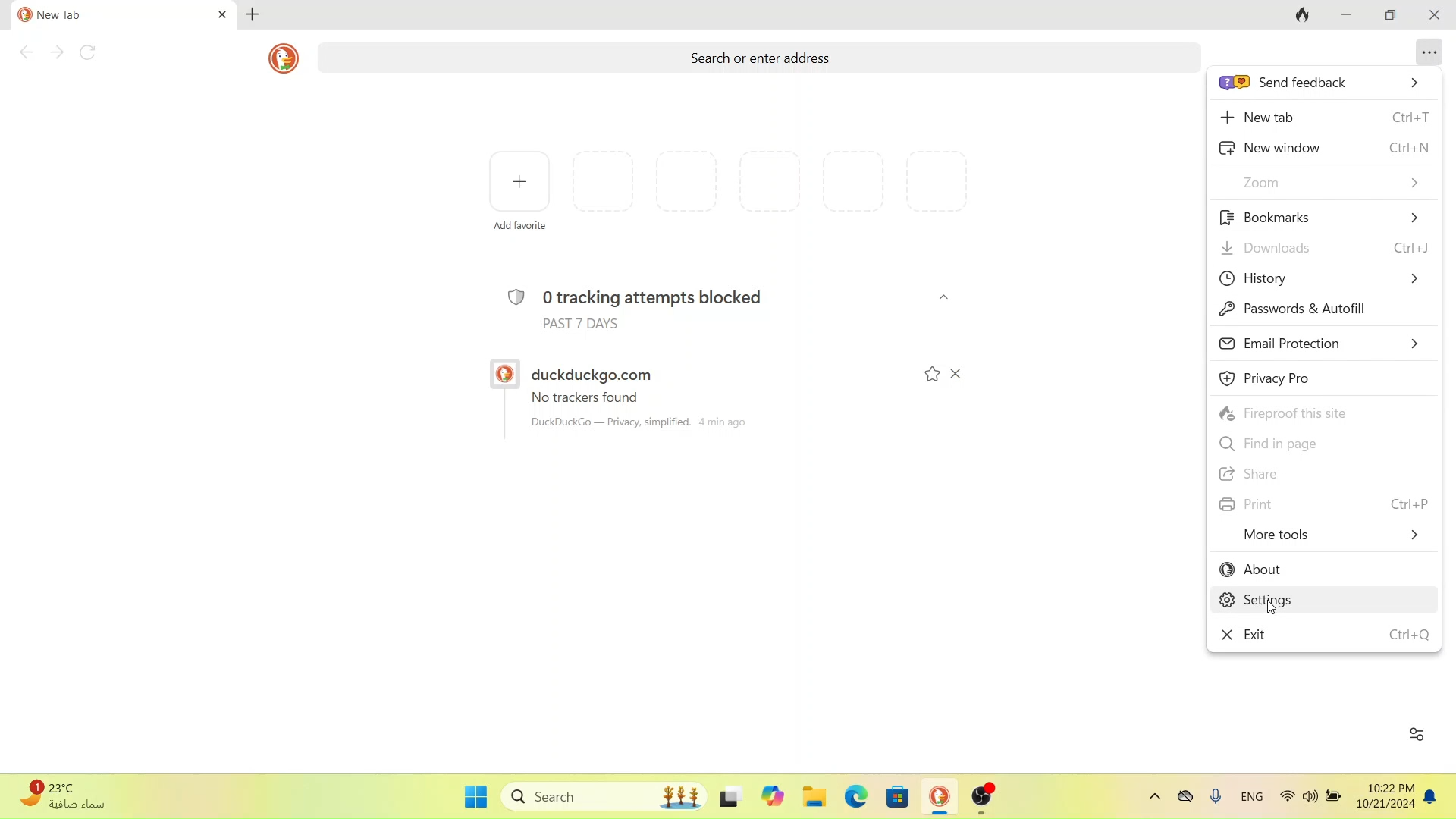  What do you see at coordinates (1323, 117) in the screenshot?
I see `new tab` at bounding box center [1323, 117].